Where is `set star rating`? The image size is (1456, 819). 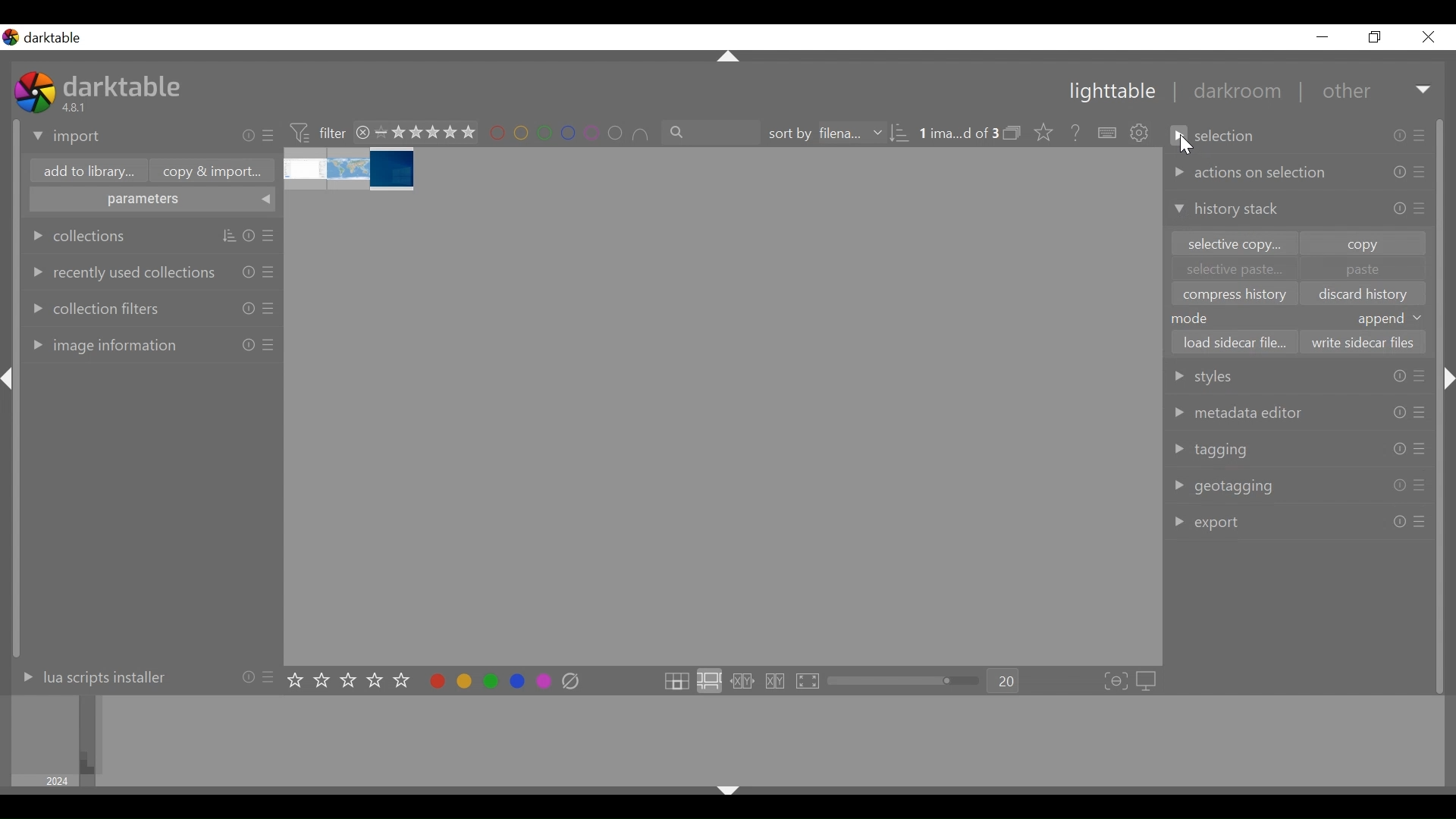 set star rating is located at coordinates (353, 681).